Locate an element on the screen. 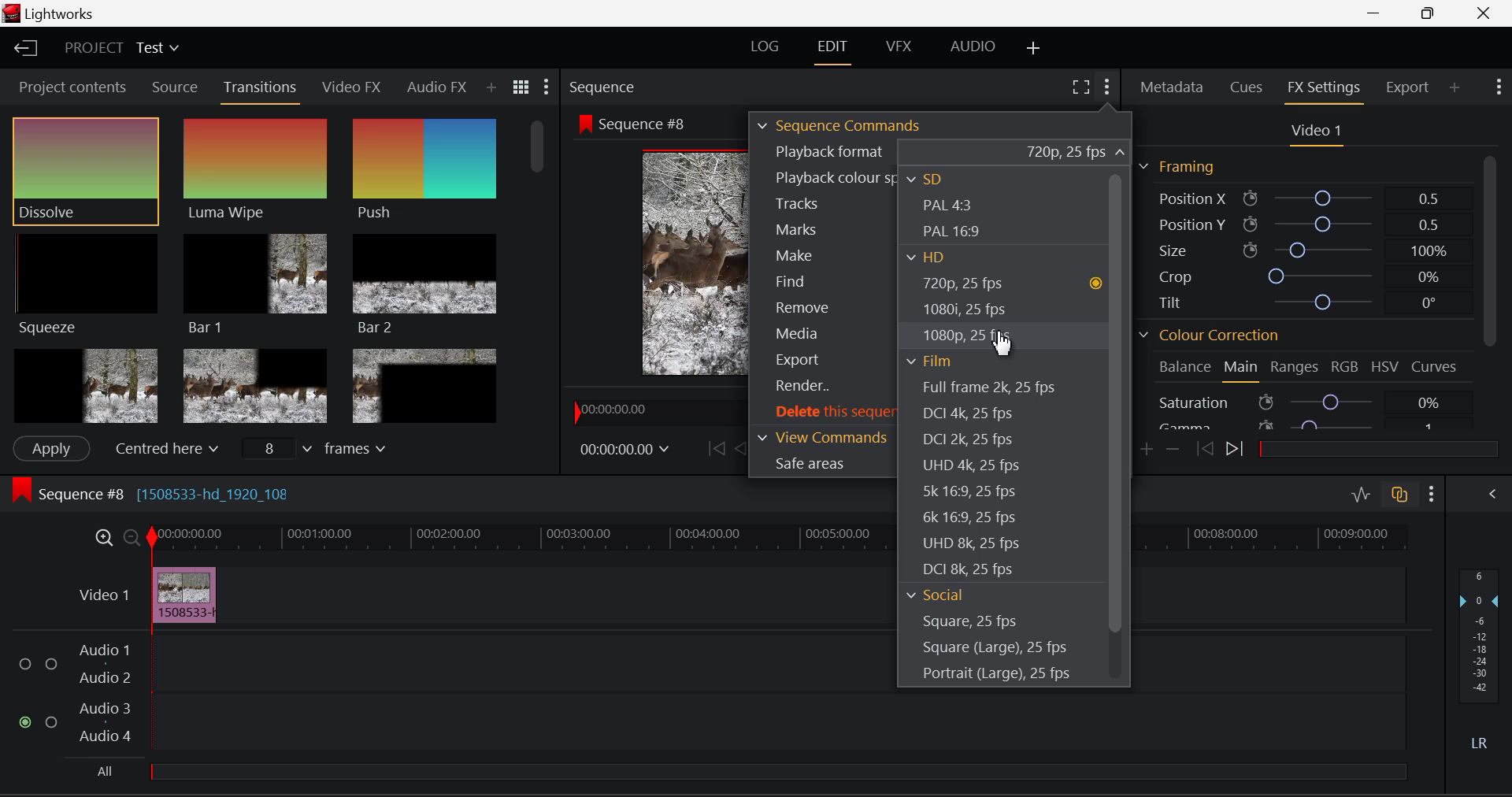 The height and width of the screenshot is (797, 1512). Add Panel is located at coordinates (1456, 88).